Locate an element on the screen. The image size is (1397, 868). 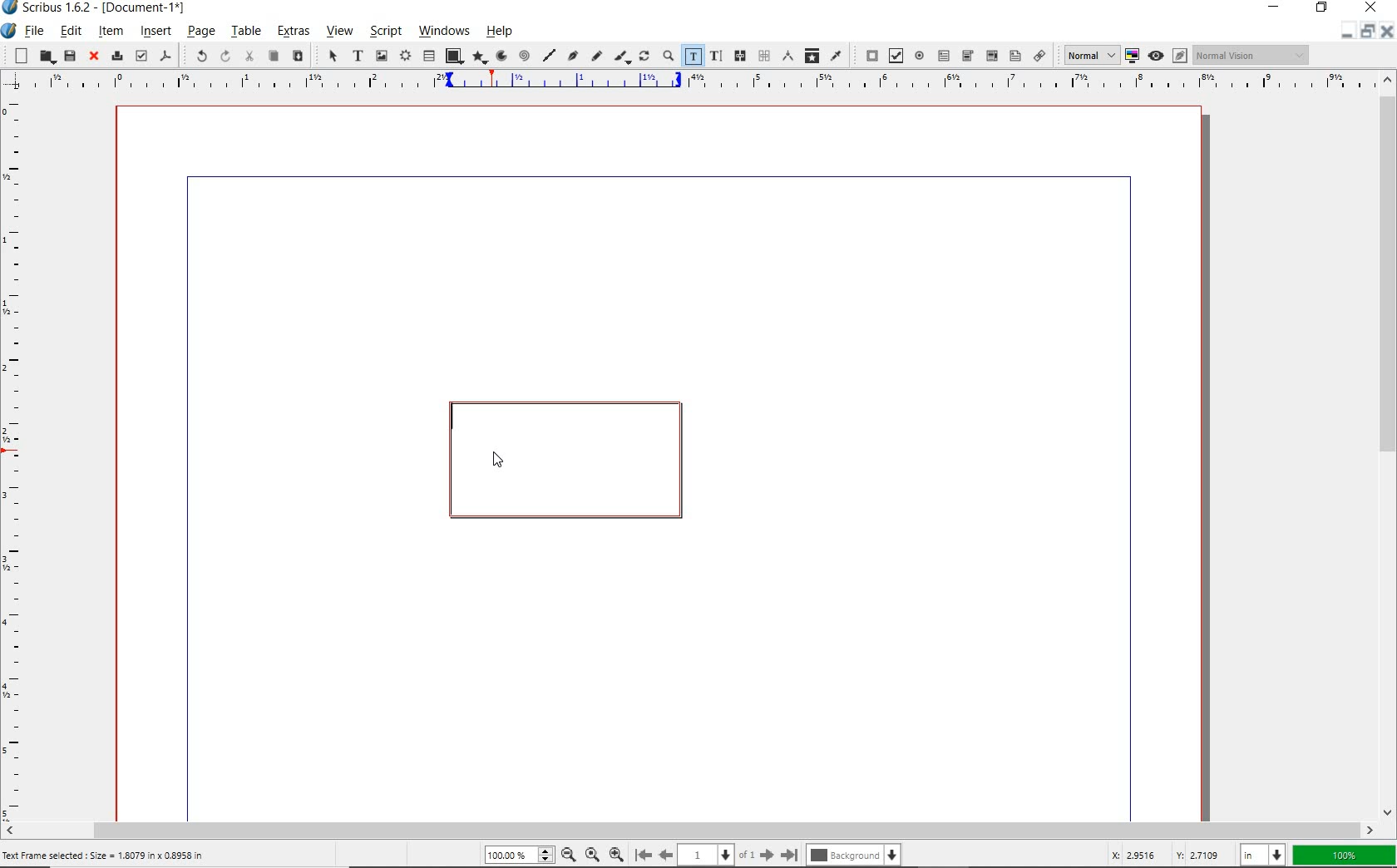
close is located at coordinates (94, 57).